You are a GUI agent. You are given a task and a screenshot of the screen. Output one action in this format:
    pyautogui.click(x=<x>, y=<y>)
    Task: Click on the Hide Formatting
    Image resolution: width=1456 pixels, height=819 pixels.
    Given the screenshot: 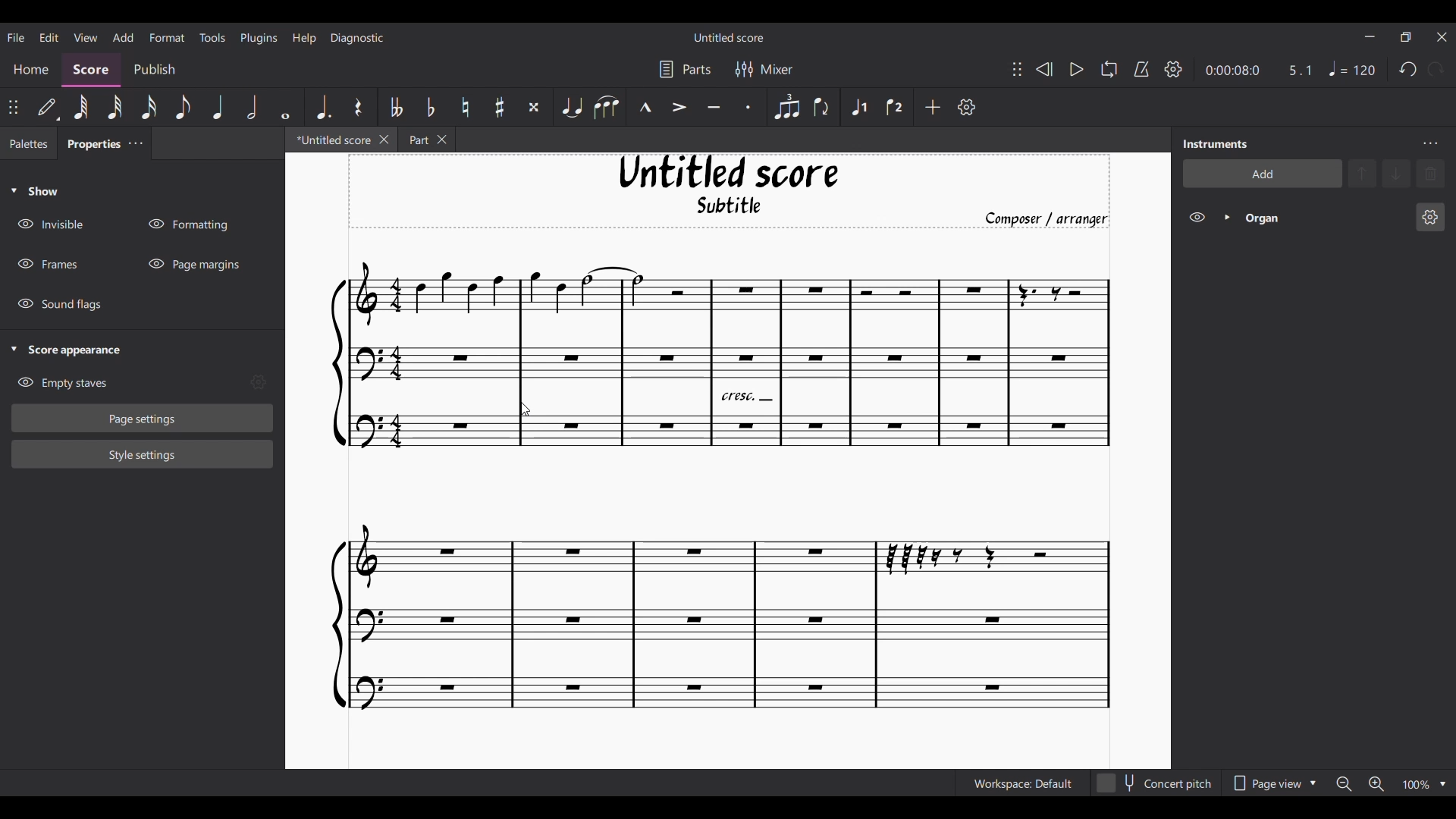 What is the action you would take?
    pyautogui.click(x=189, y=224)
    